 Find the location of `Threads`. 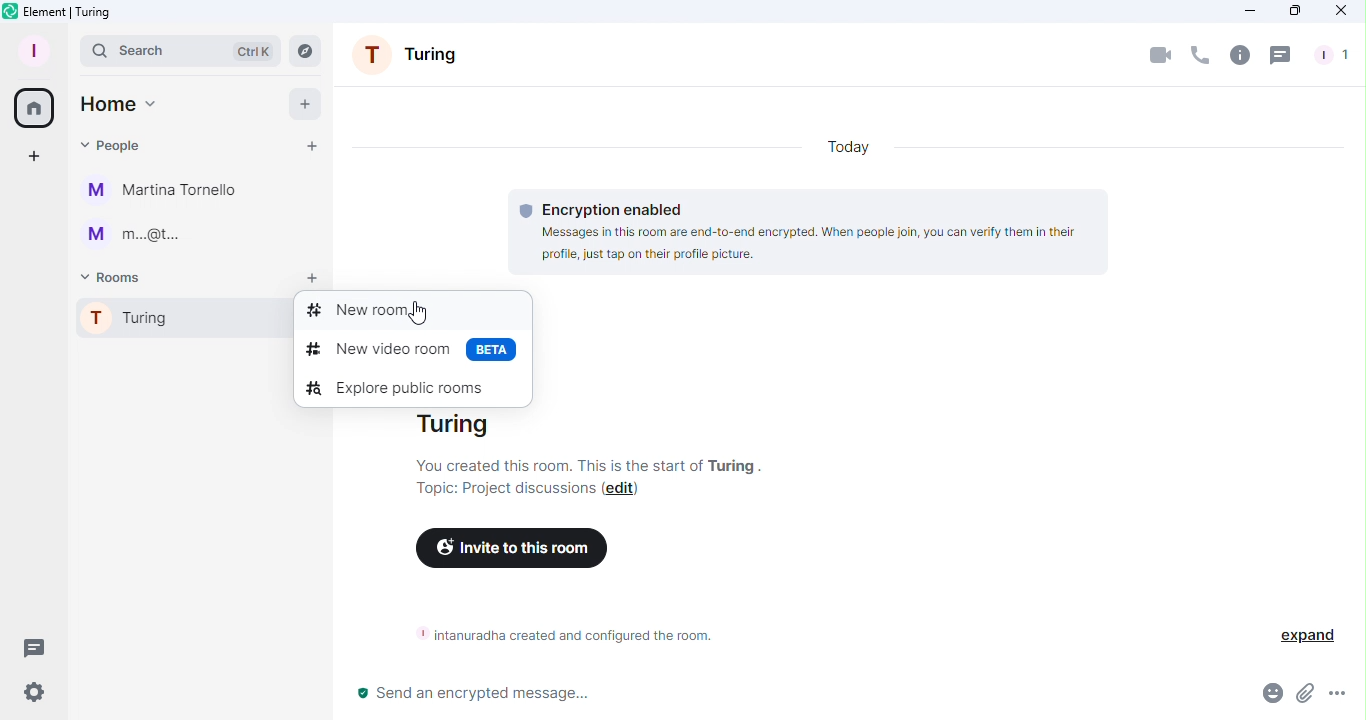

Threads is located at coordinates (30, 645).